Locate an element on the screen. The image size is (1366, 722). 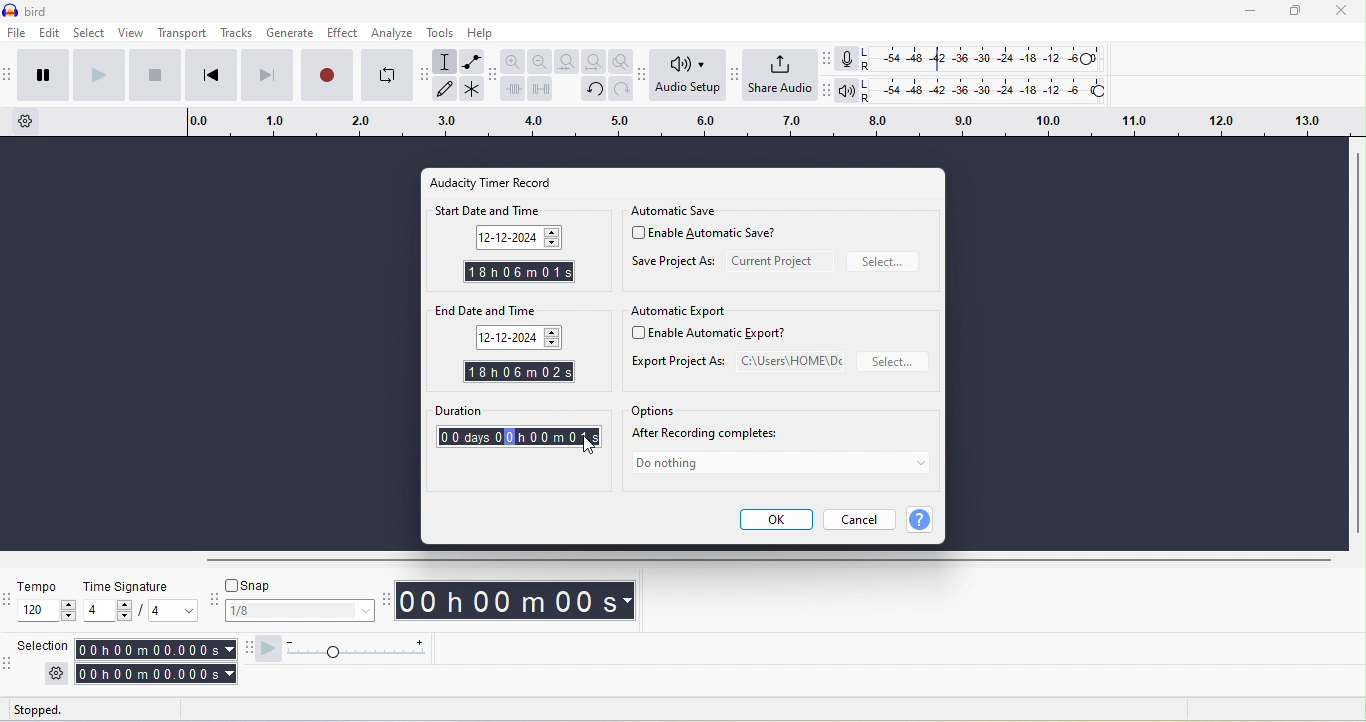
audacity audio setup toolbar is located at coordinates (644, 75).